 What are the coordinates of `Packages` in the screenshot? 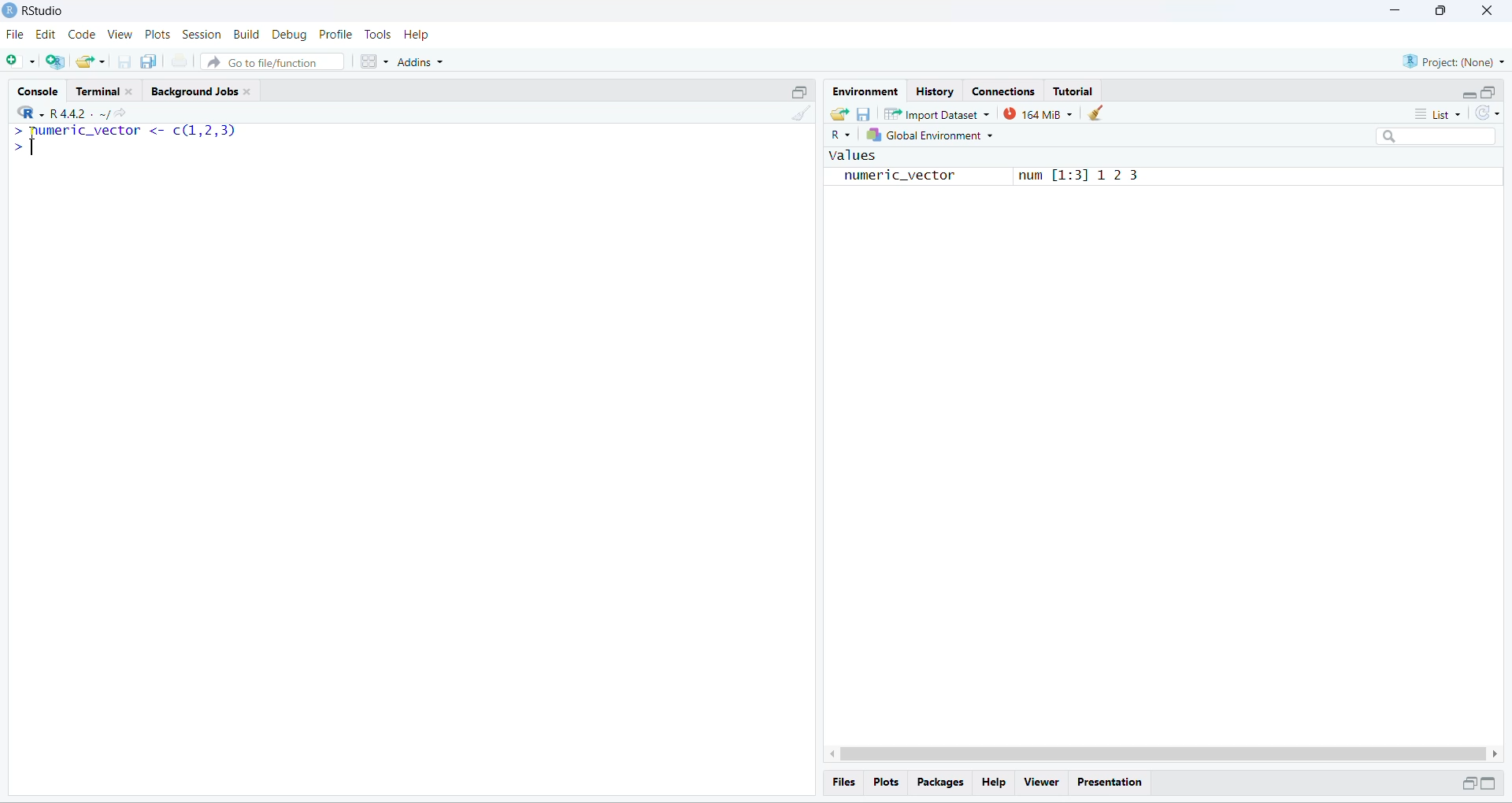 It's located at (940, 783).